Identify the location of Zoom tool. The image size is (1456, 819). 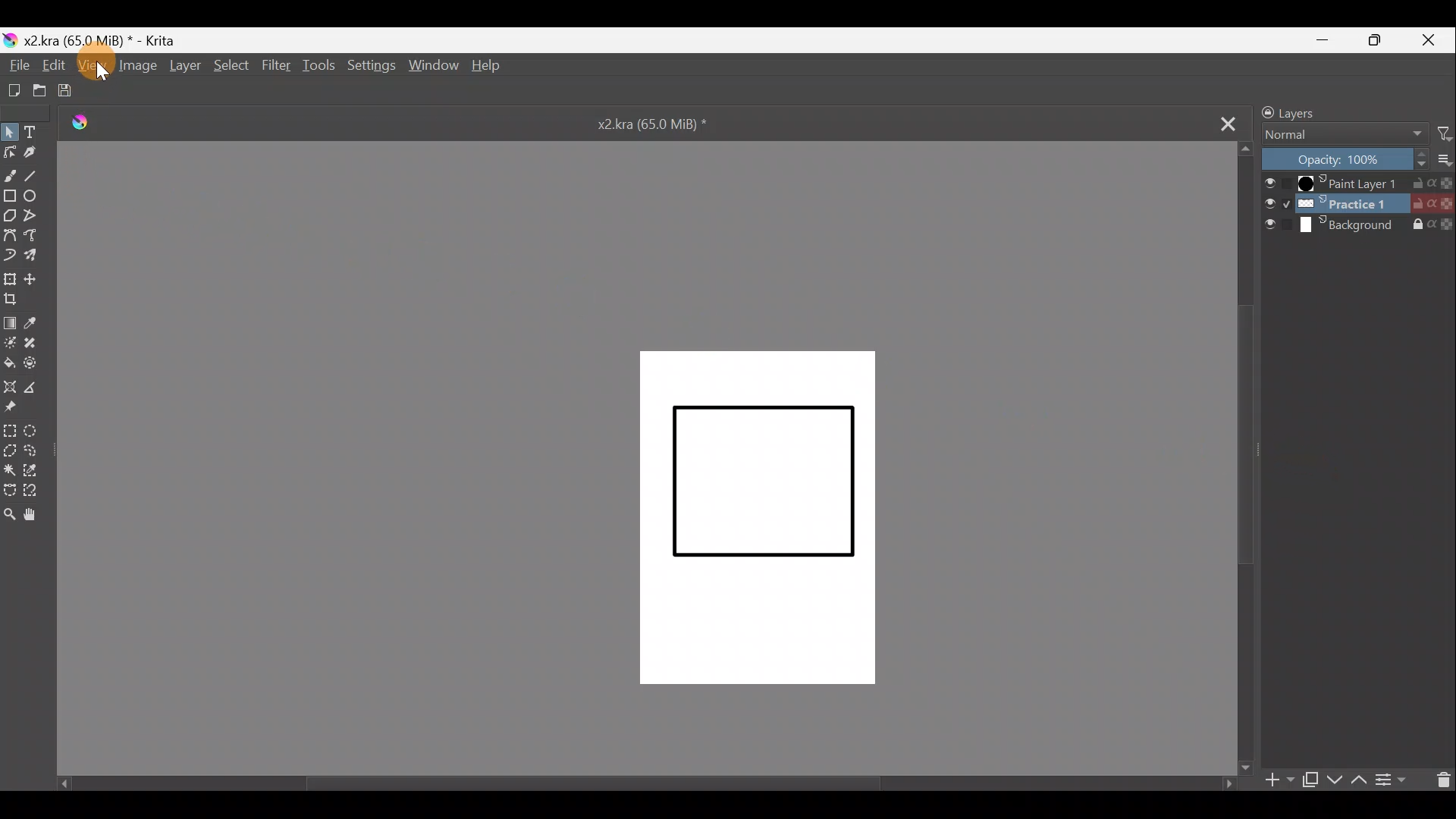
(12, 516).